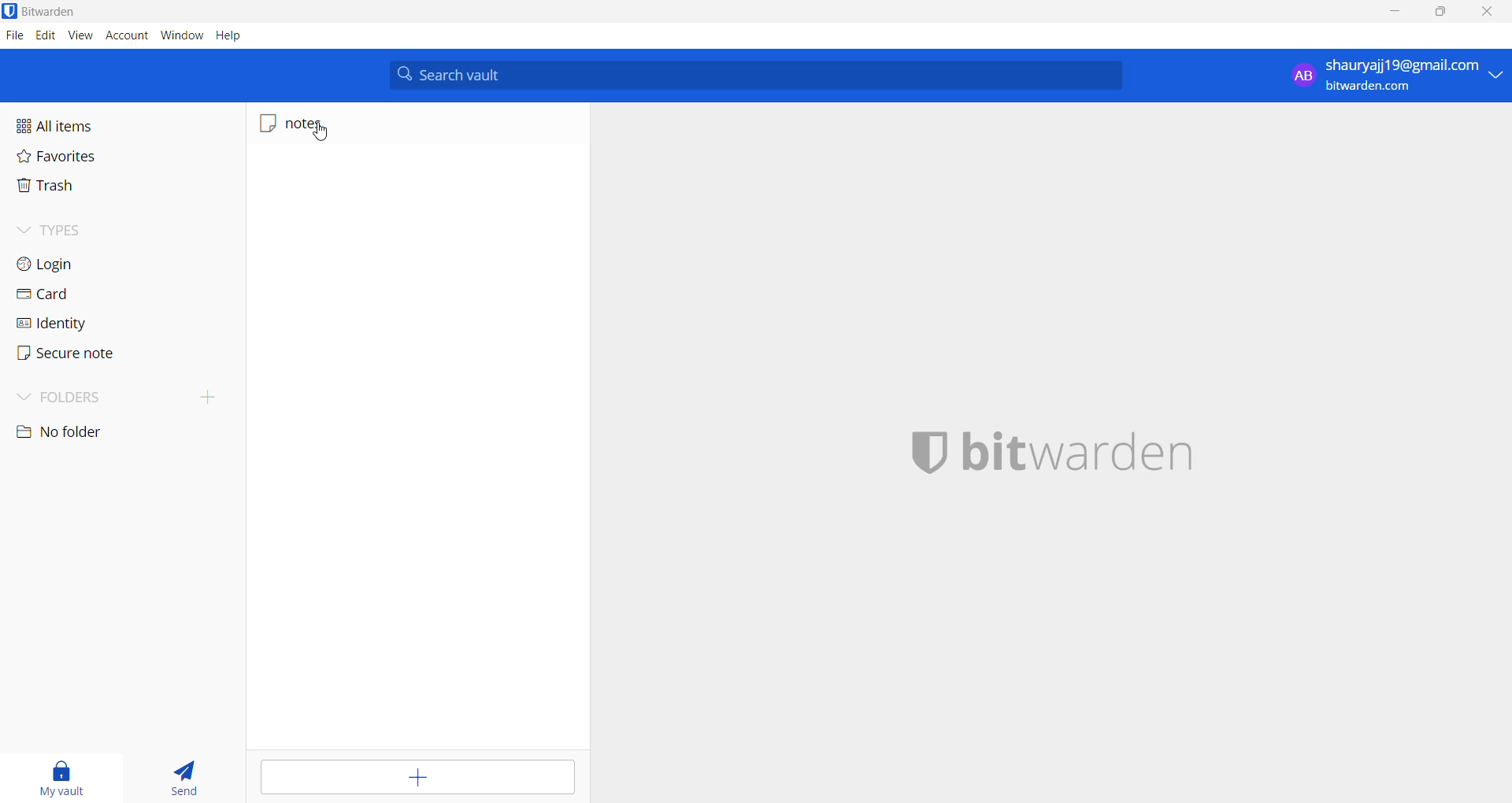 The width and height of the screenshot is (1512, 803). I want to click on bitwarden logo, so click(916, 451).